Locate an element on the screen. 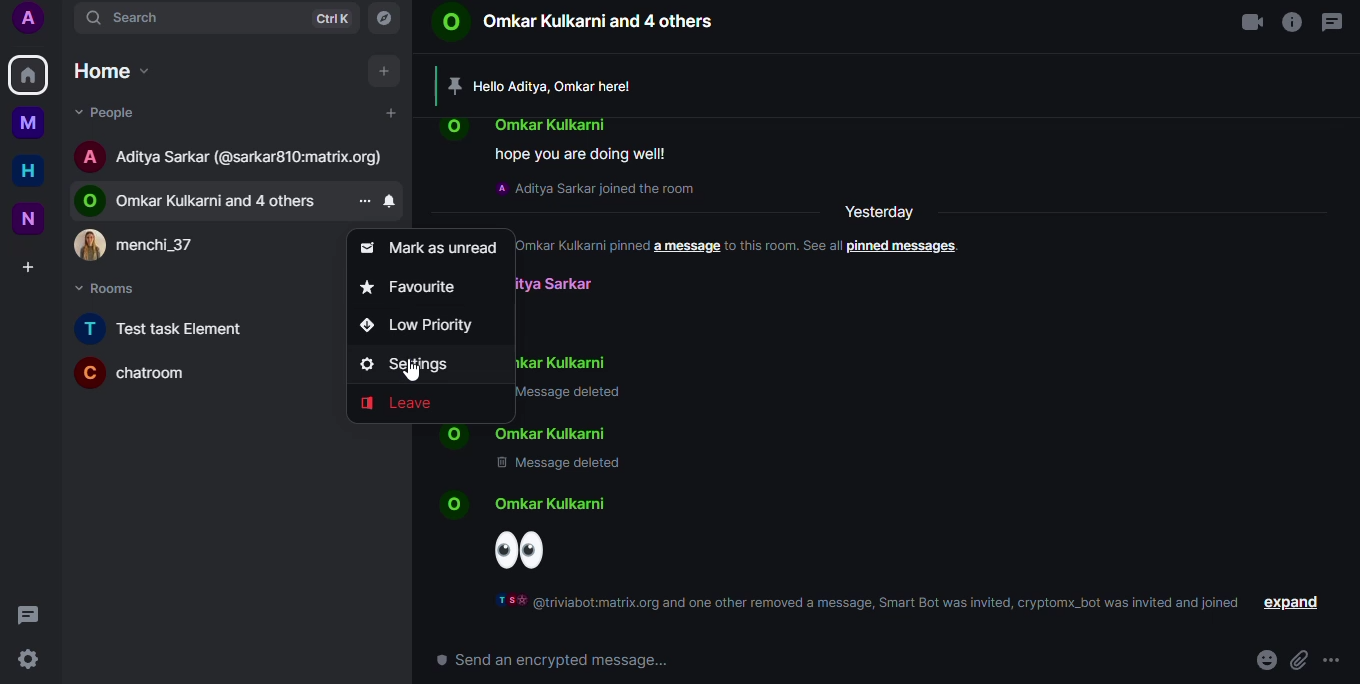  info is located at coordinates (871, 605).